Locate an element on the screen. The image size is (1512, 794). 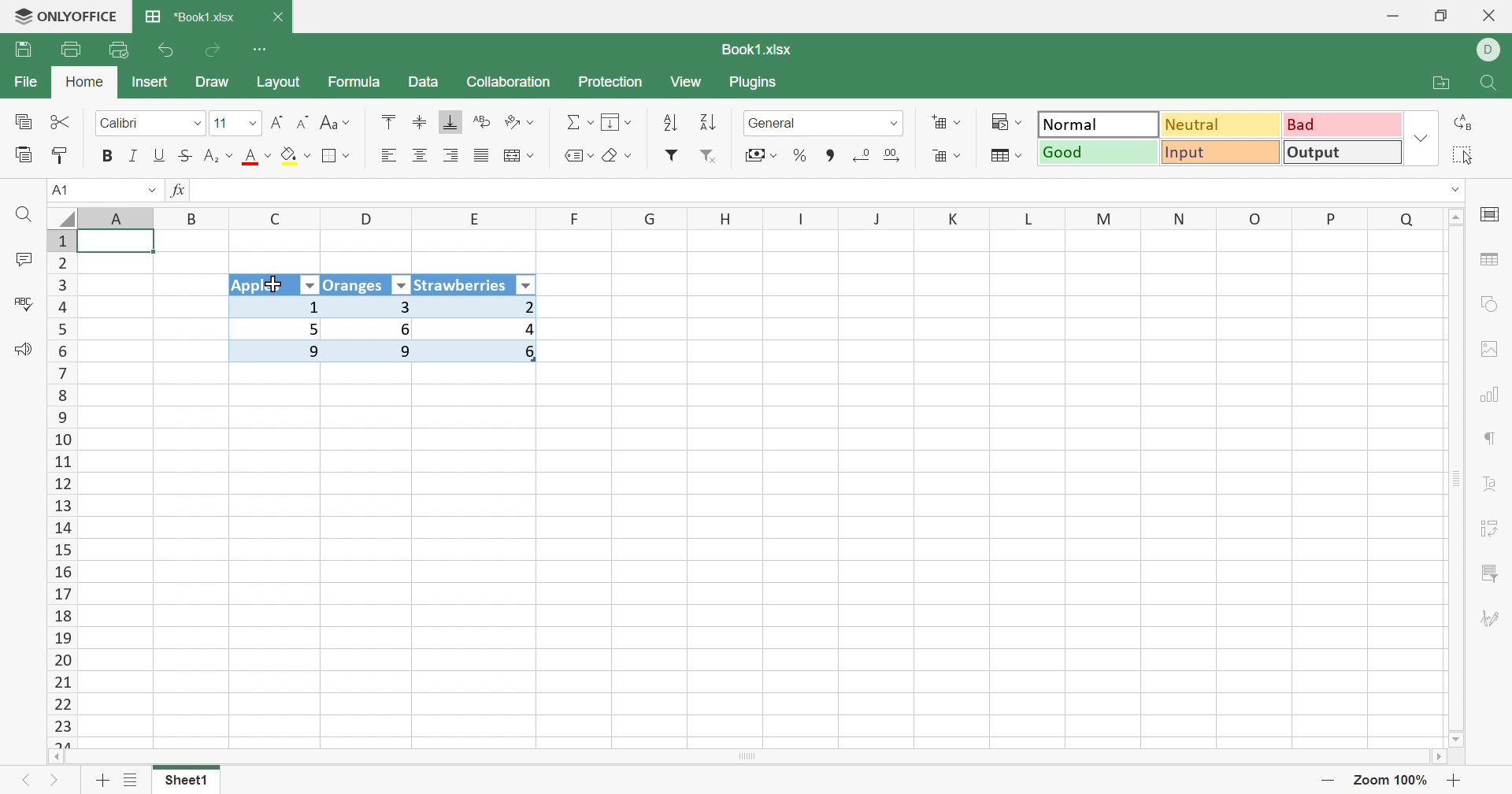
1 is located at coordinates (273, 307).